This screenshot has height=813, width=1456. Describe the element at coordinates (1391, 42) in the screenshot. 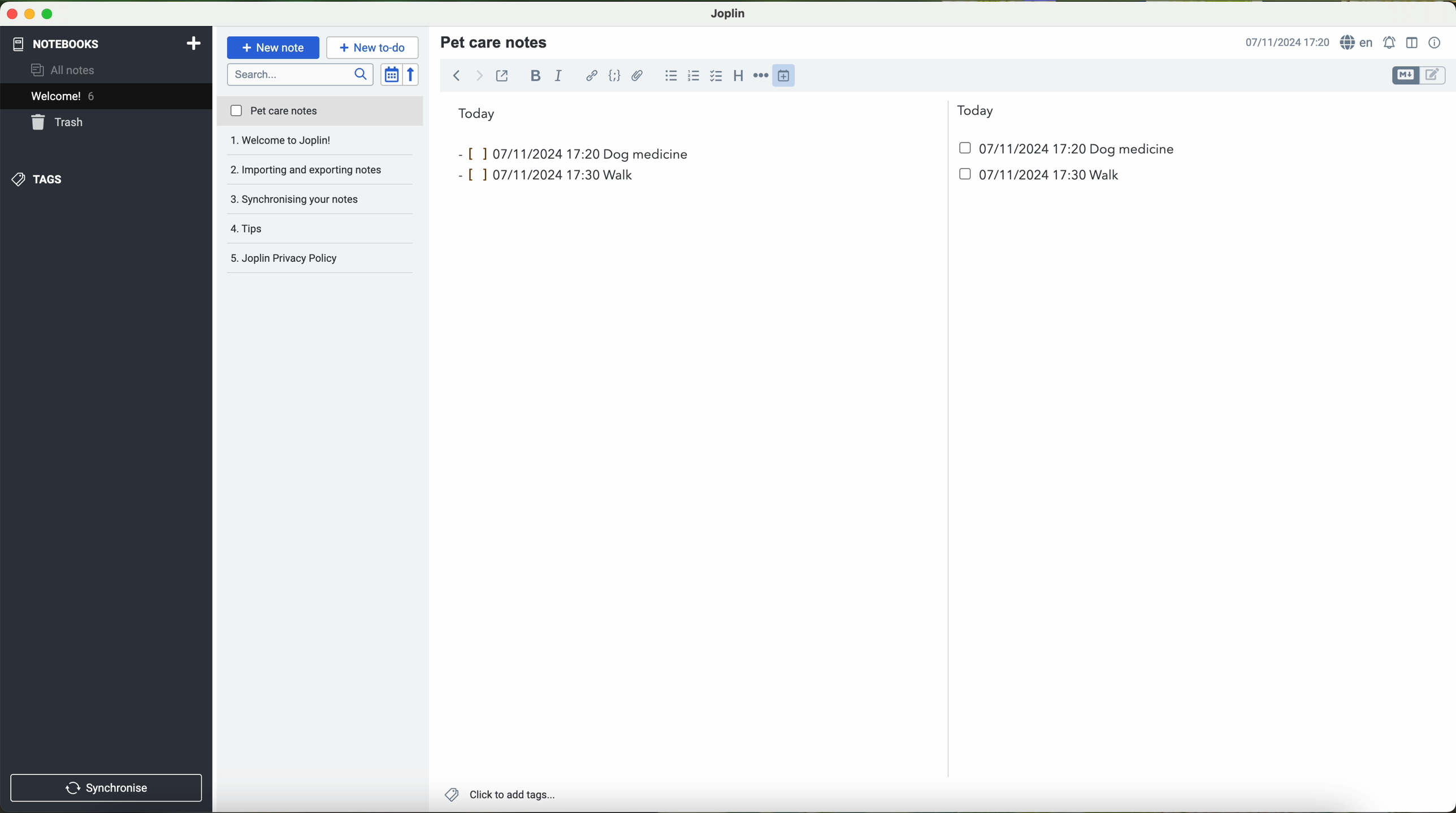

I see `set alarm` at that location.